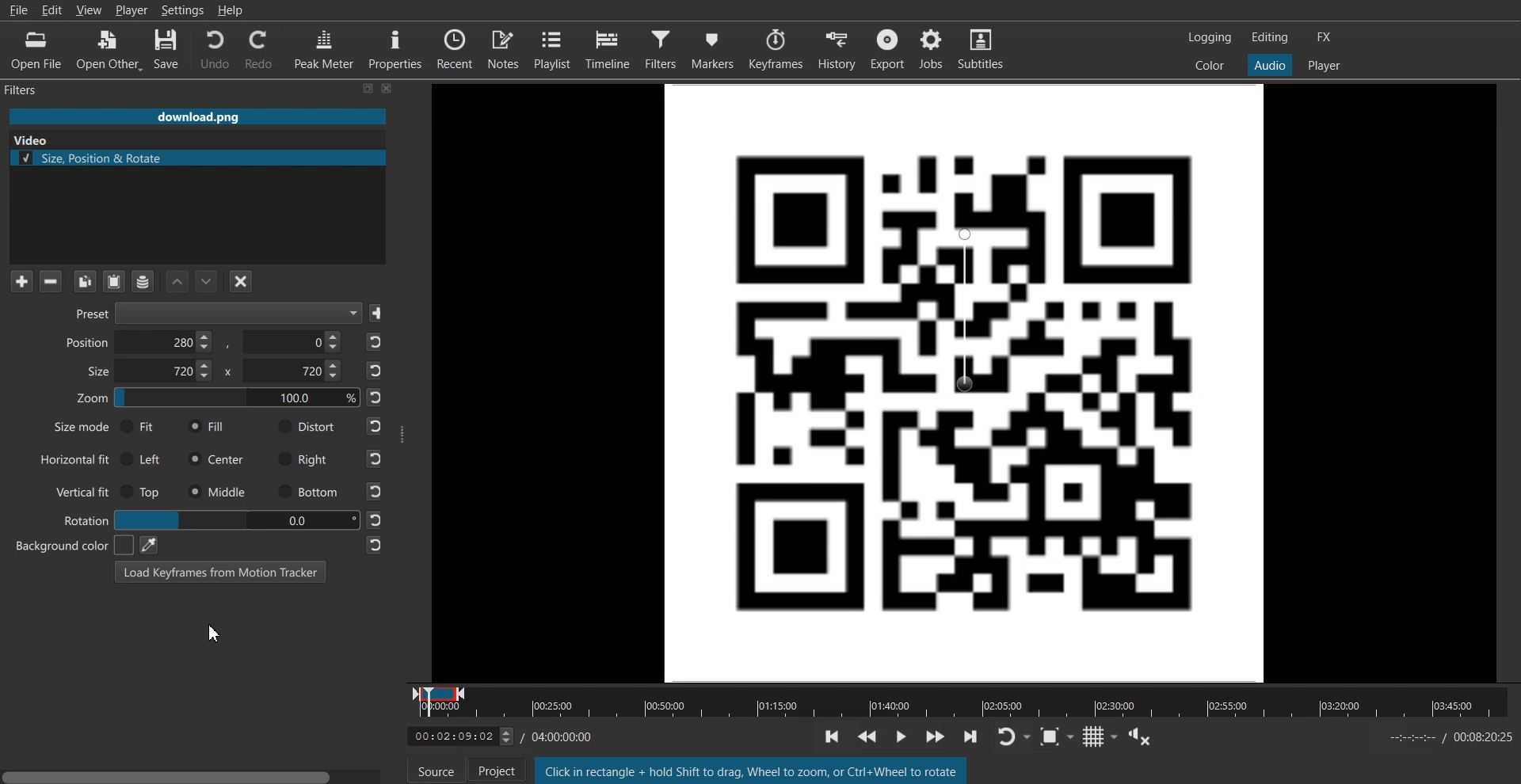 The image size is (1521, 784). Describe the element at coordinates (1325, 66) in the screenshot. I see `Switch to the Player one layout` at that location.